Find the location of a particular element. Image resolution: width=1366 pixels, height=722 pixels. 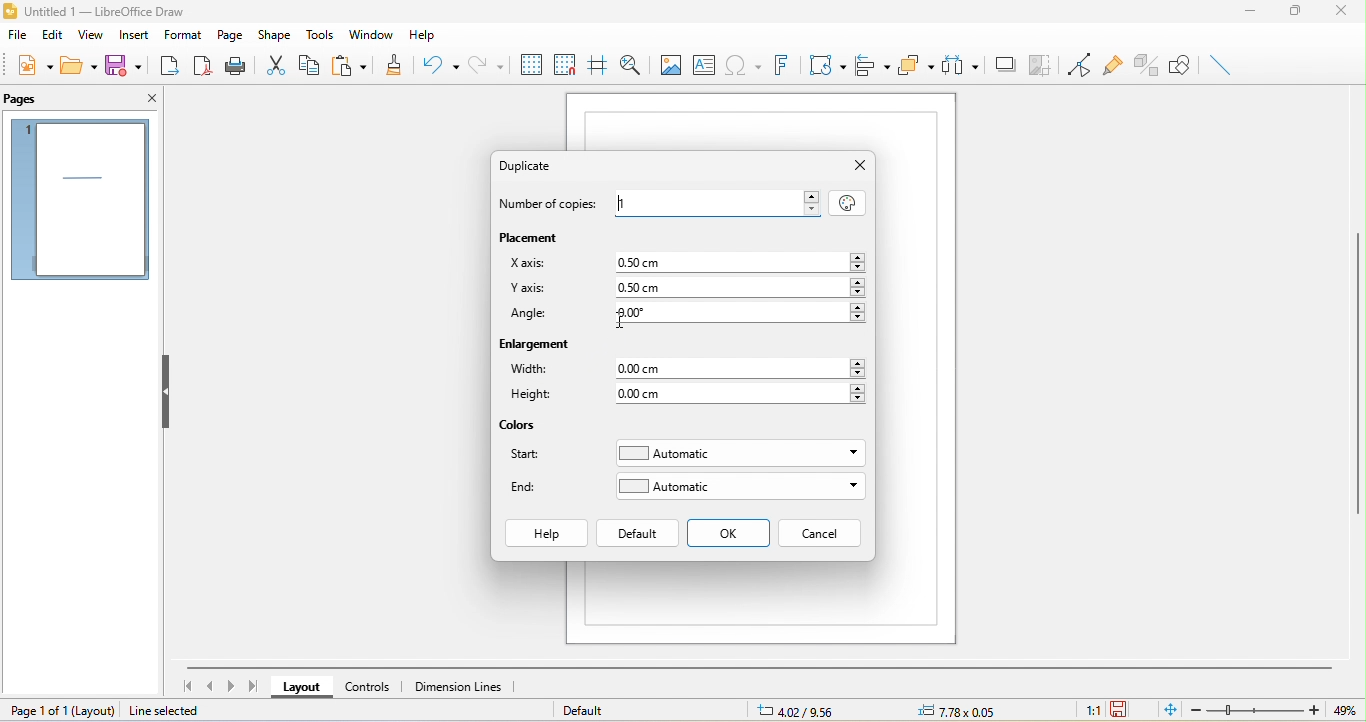

show draw function is located at coordinates (1181, 66).